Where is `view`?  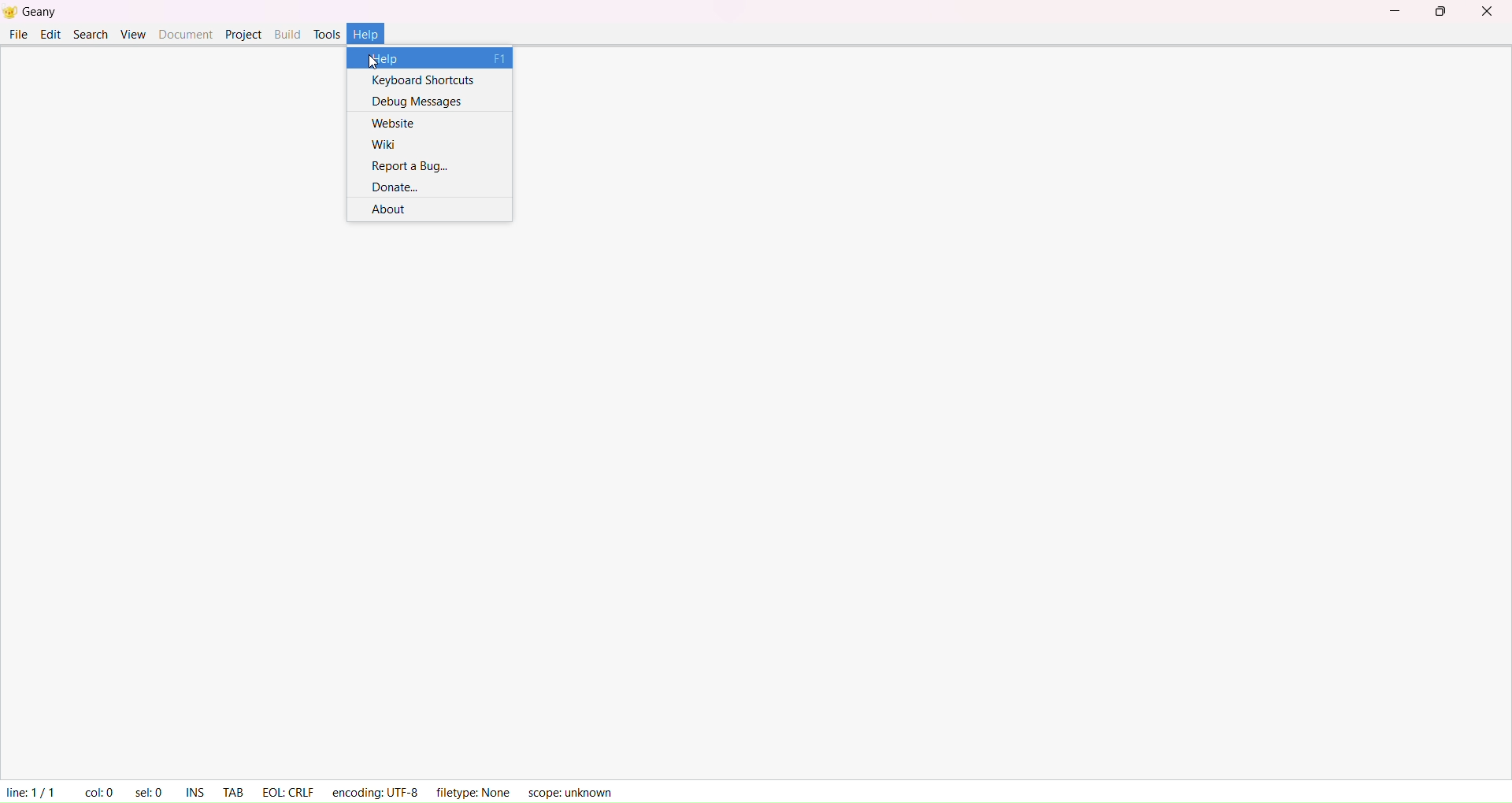 view is located at coordinates (133, 33).